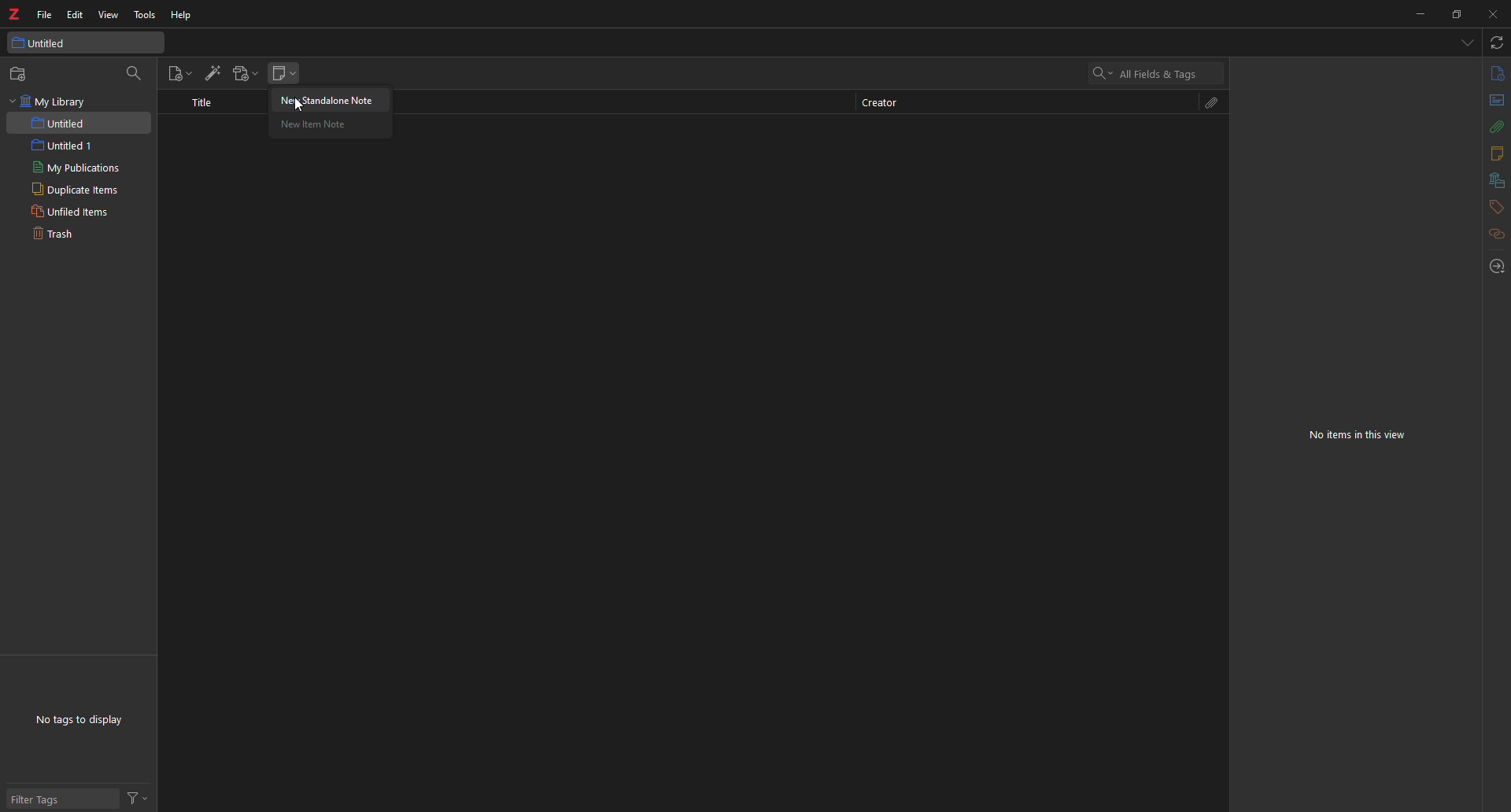 The width and height of the screenshot is (1511, 812). Describe the element at coordinates (53, 102) in the screenshot. I see `my library` at that location.